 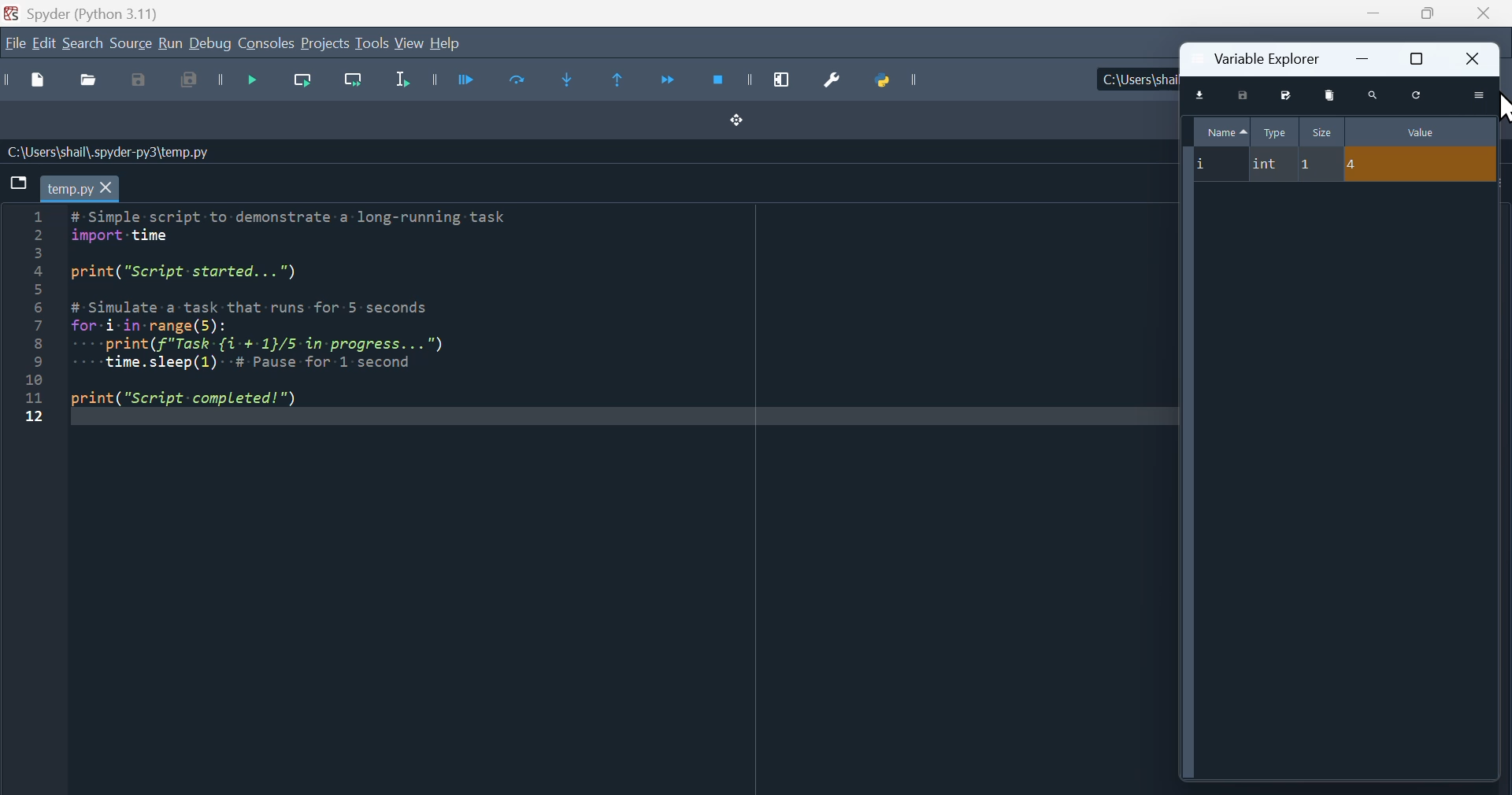 What do you see at coordinates (787, 79) in the screenshot?
I see `Maximise current window pane` at bounding box center [787, 79].